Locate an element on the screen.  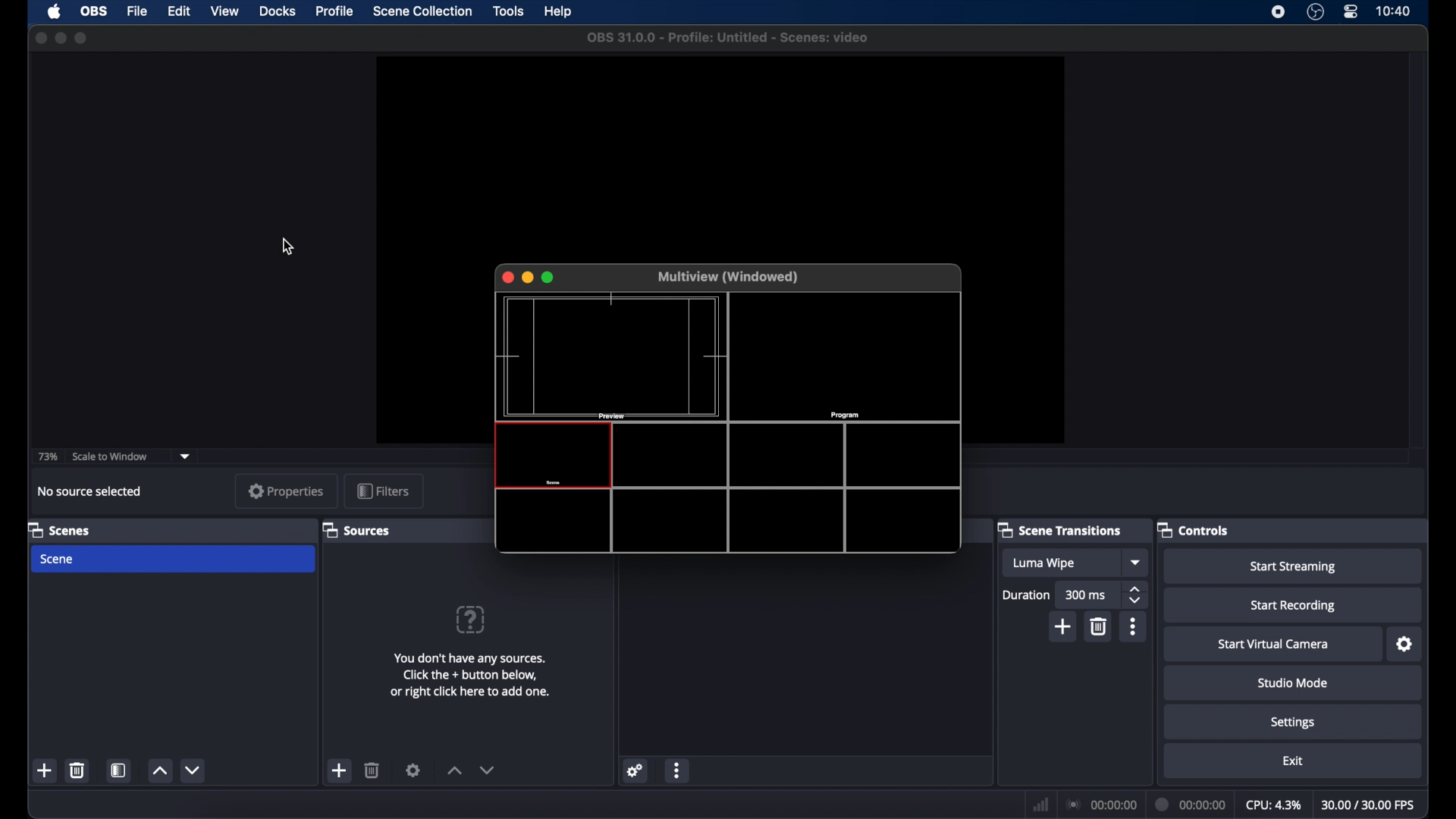
scene transitions is located at coordinates (1060, 529).